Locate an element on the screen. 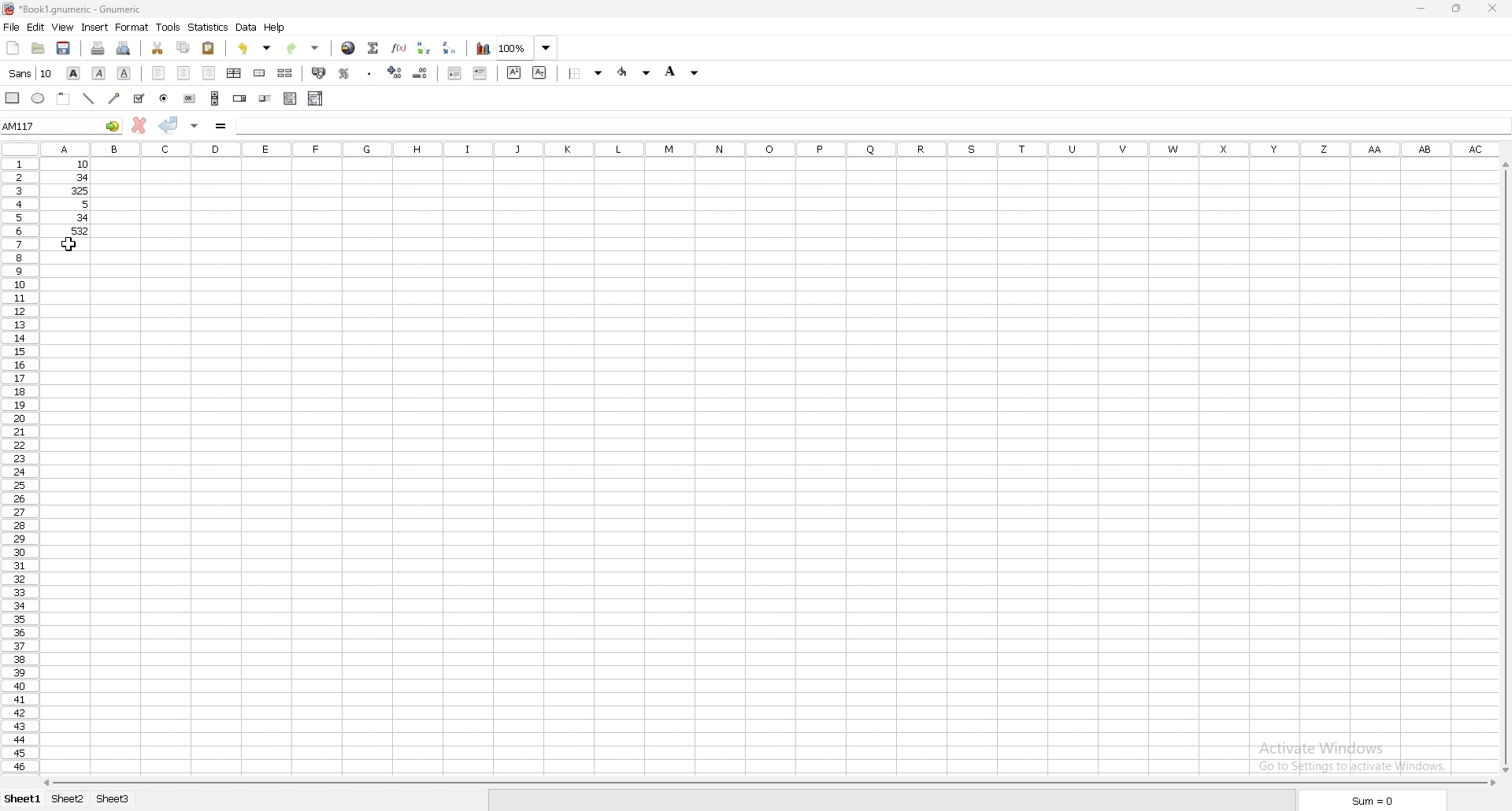  combo box is located at coordinates (315, 97).